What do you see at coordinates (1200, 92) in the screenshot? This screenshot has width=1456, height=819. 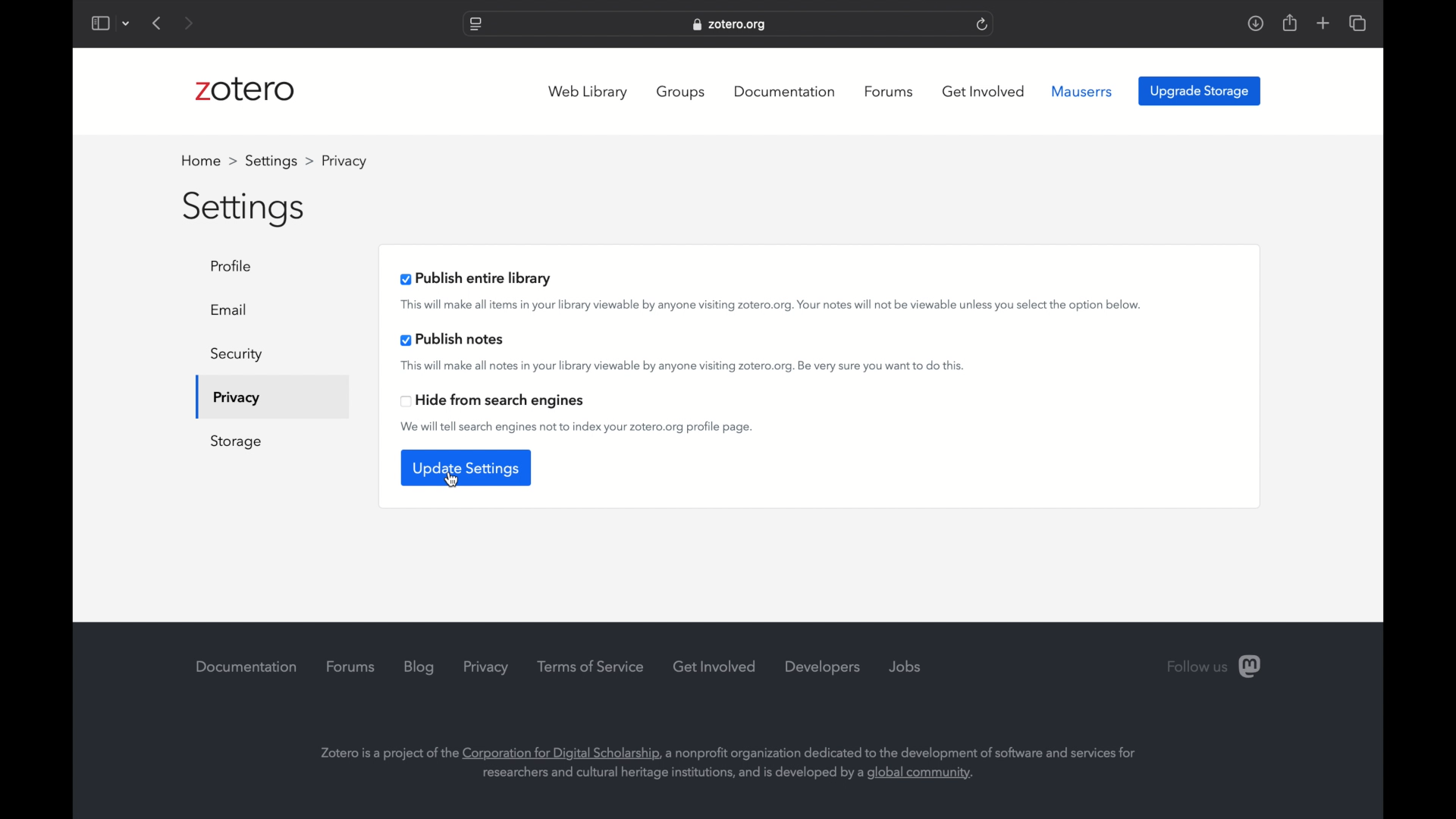 I see `upgrade storage` at bounding box center [1200, 92].